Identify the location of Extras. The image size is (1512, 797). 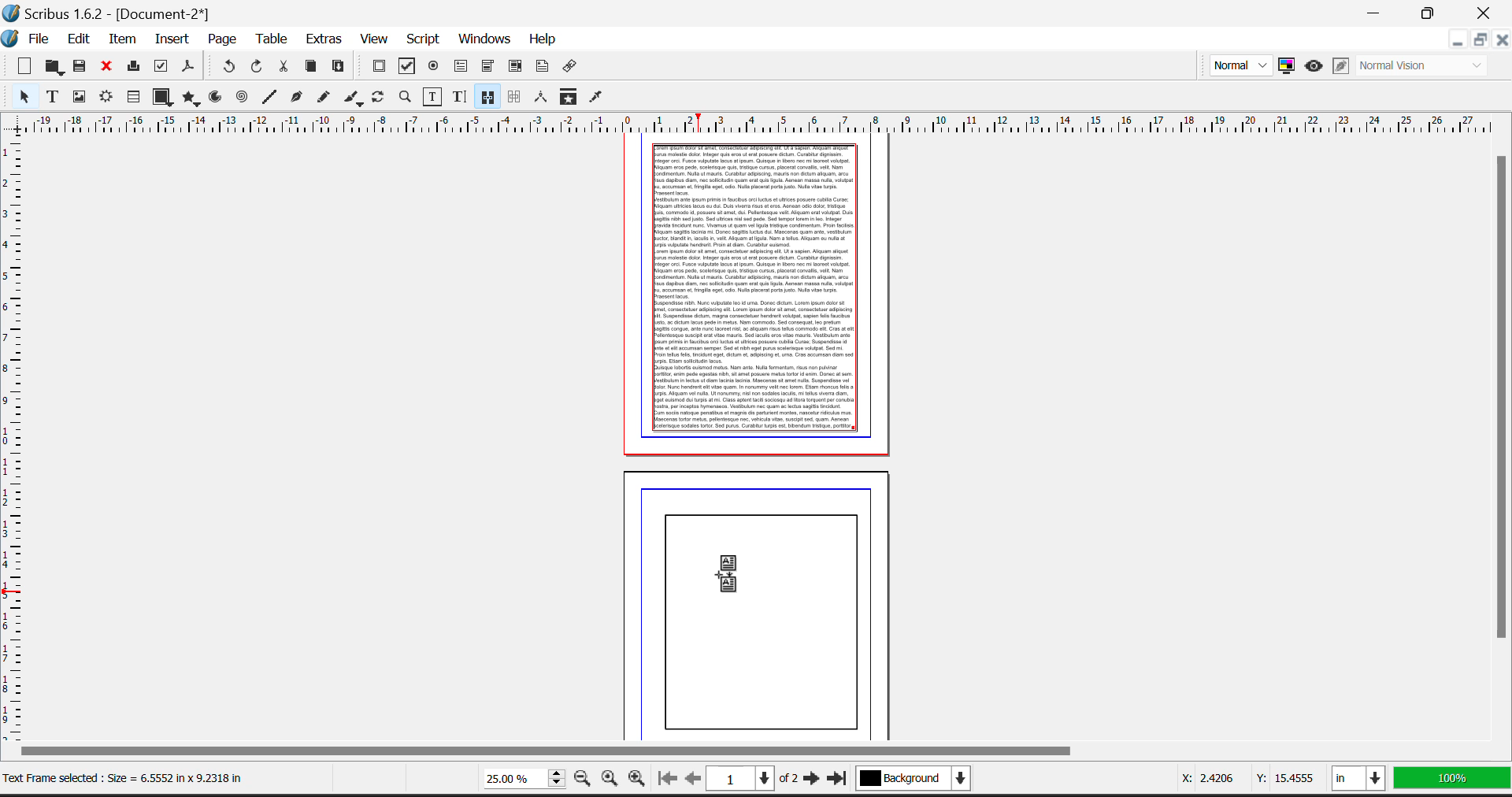
(324, 41).